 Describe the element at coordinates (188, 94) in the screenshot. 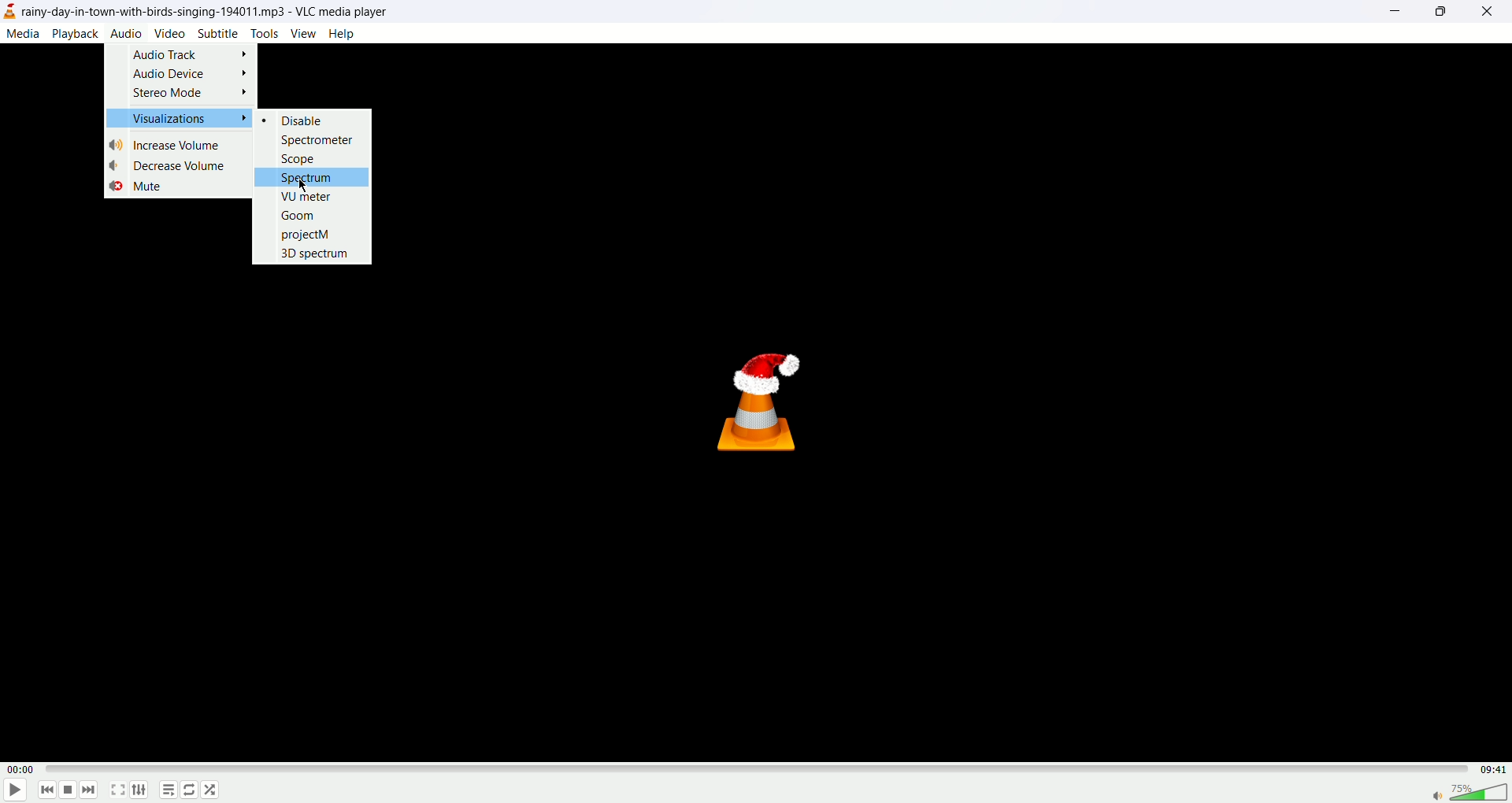

I see `stereo mode` at that location.